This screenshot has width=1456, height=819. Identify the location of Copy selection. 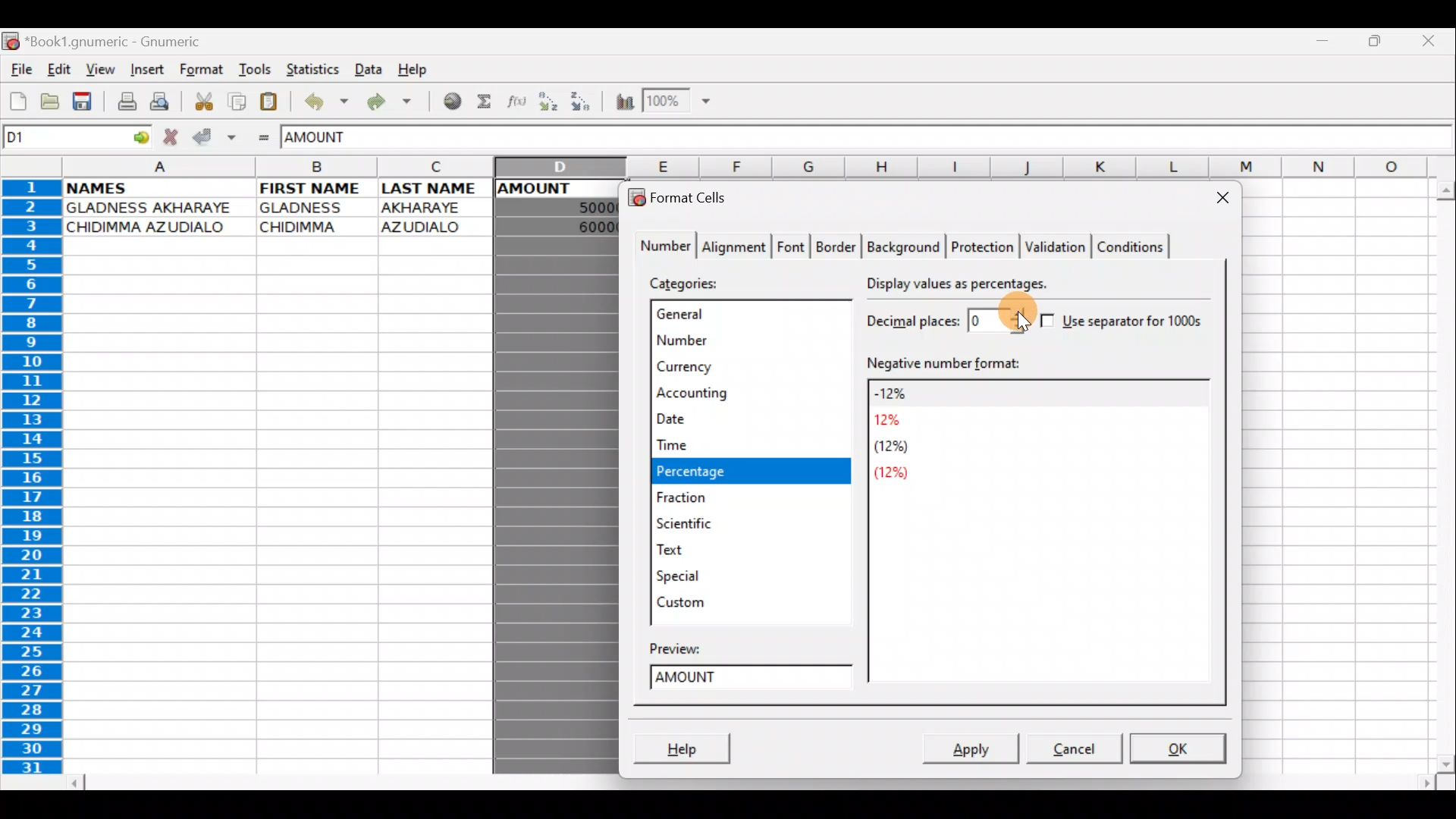
(234, 101).